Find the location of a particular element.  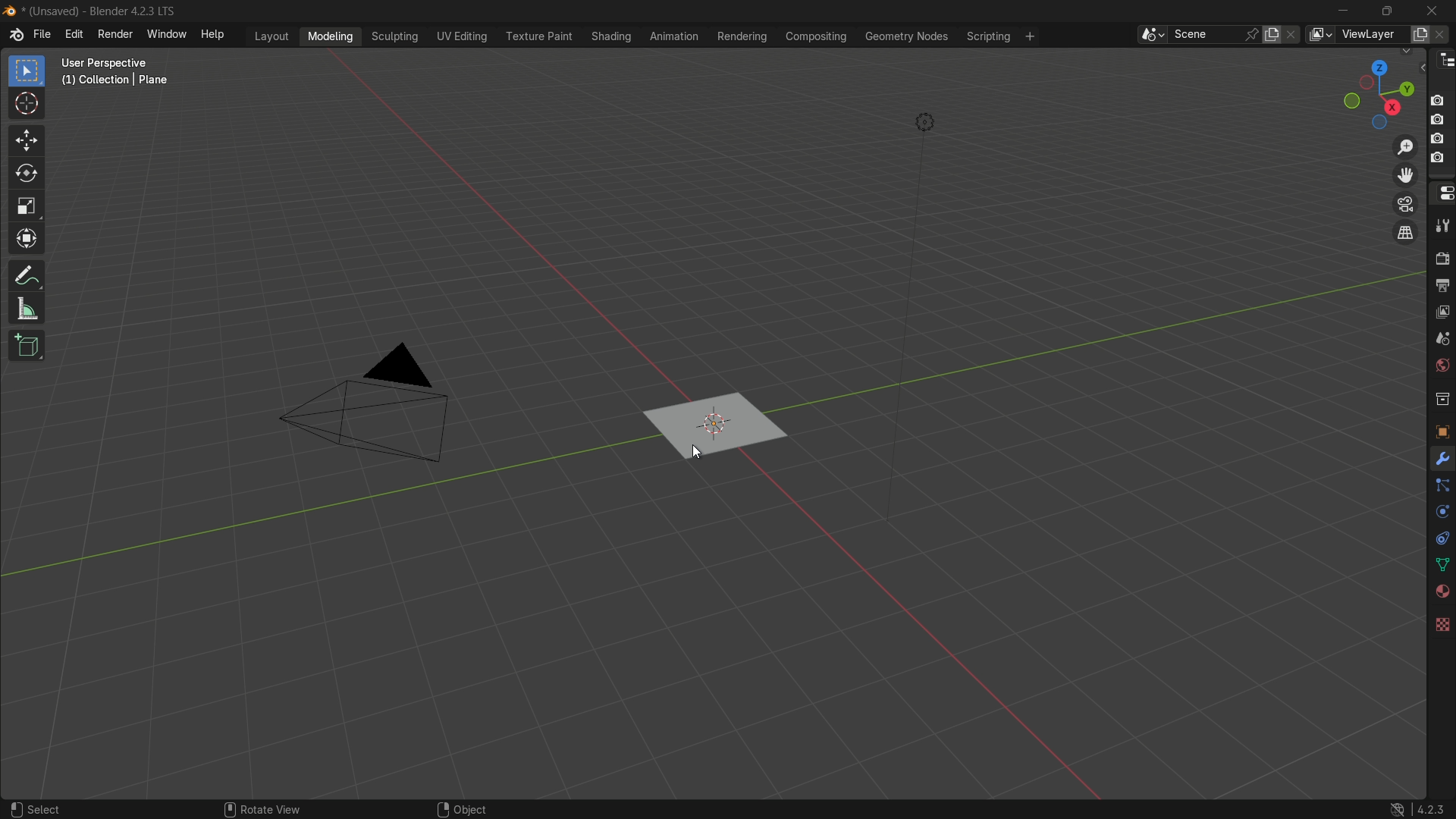

capture is located at coordinates (1439, 138).